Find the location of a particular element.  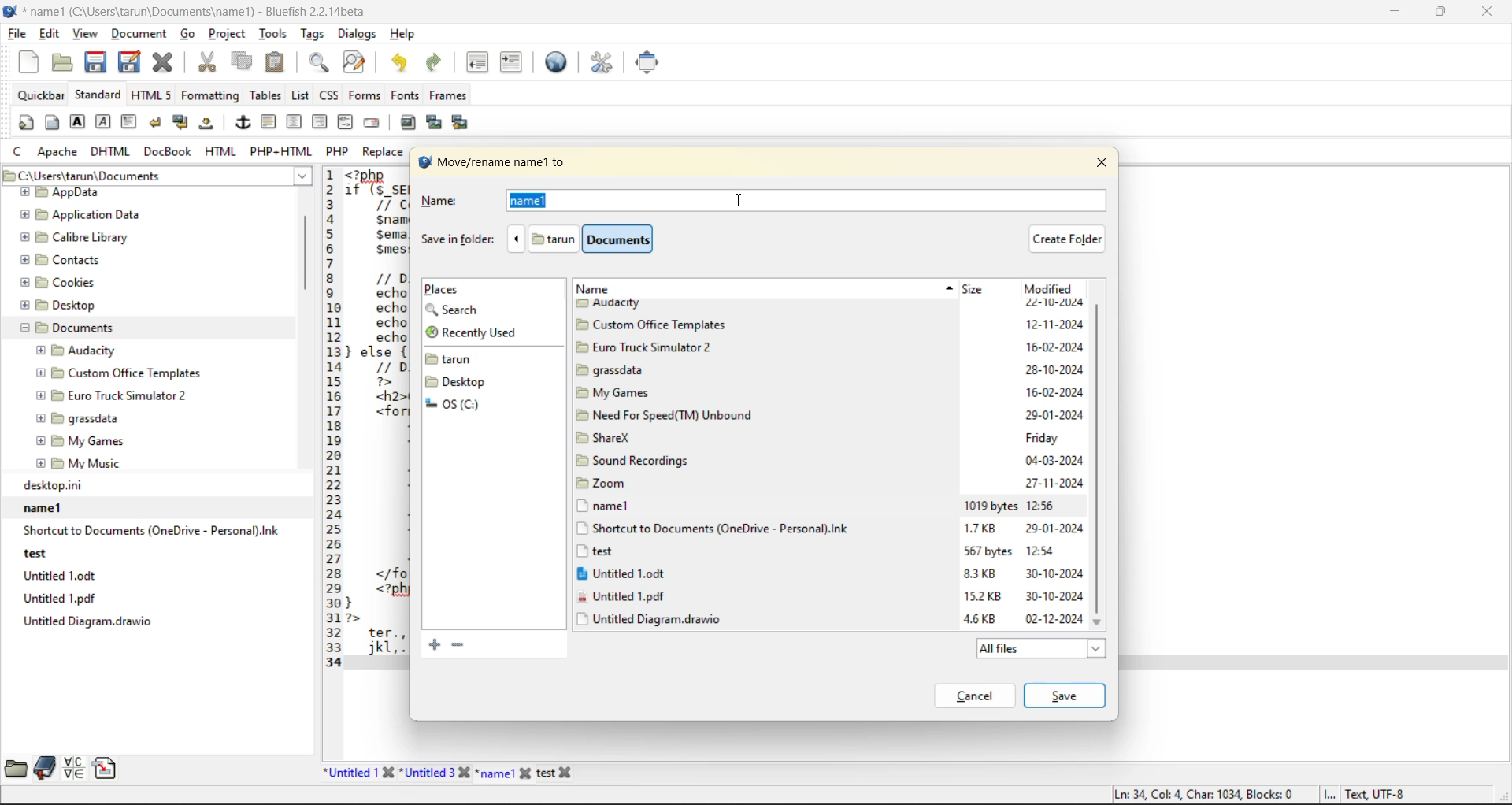

right justify is located at coordinates (321, 124).